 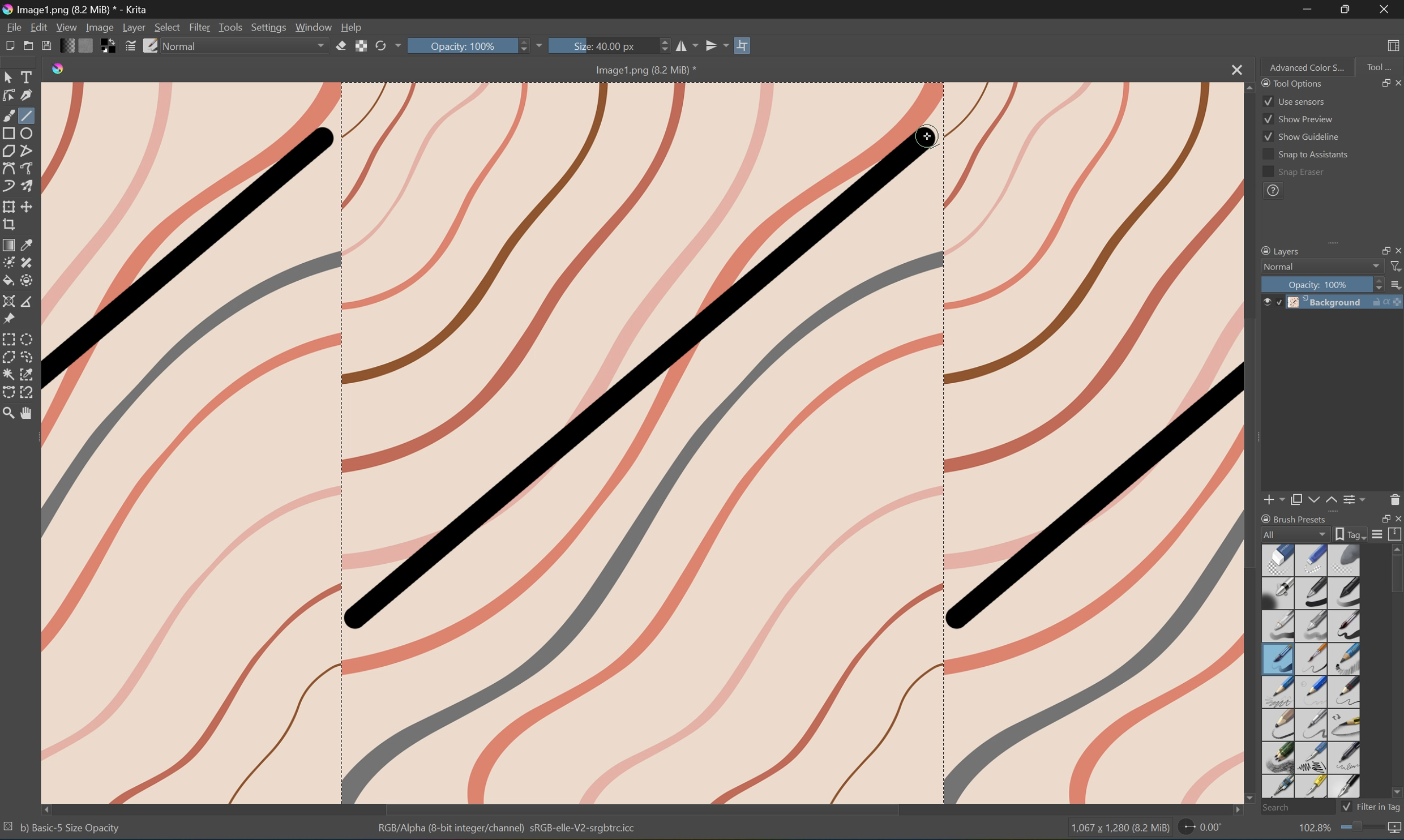 I want to click on Visibility, so click(x=1265, y=298).